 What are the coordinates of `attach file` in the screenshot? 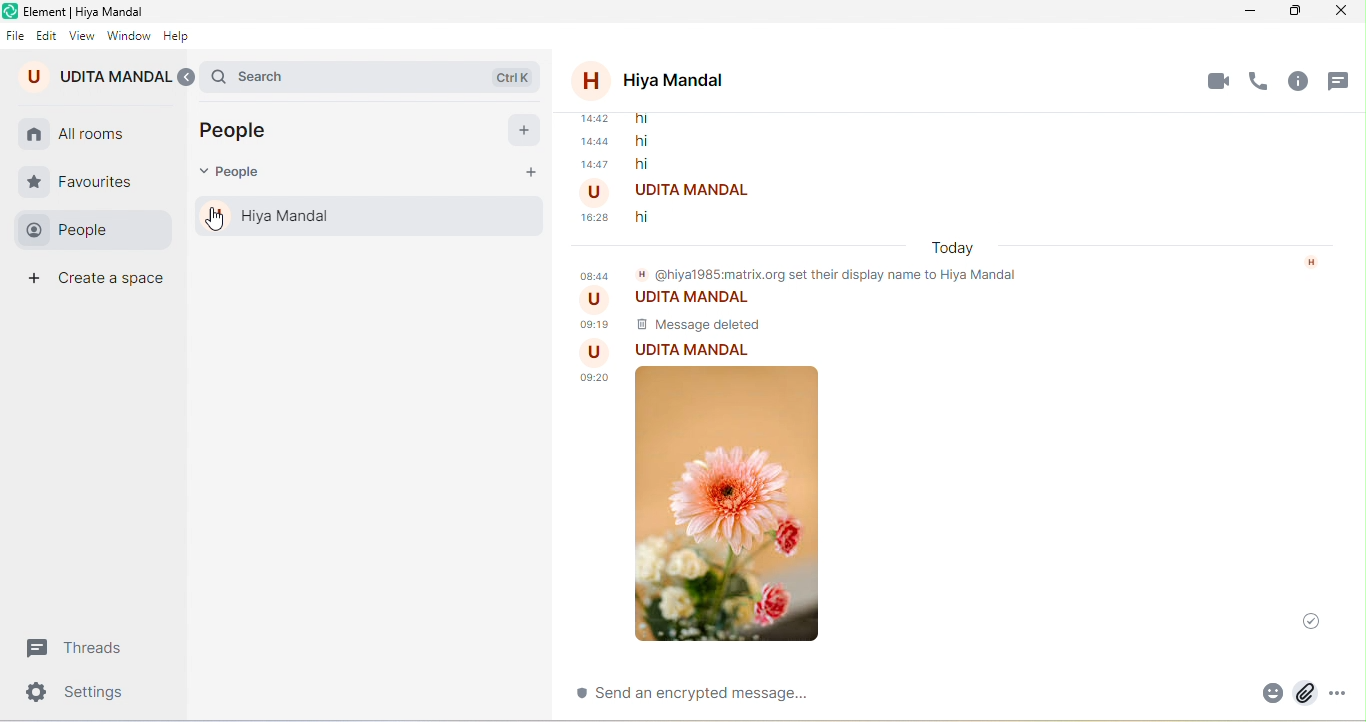 It's located at (1307, 695).